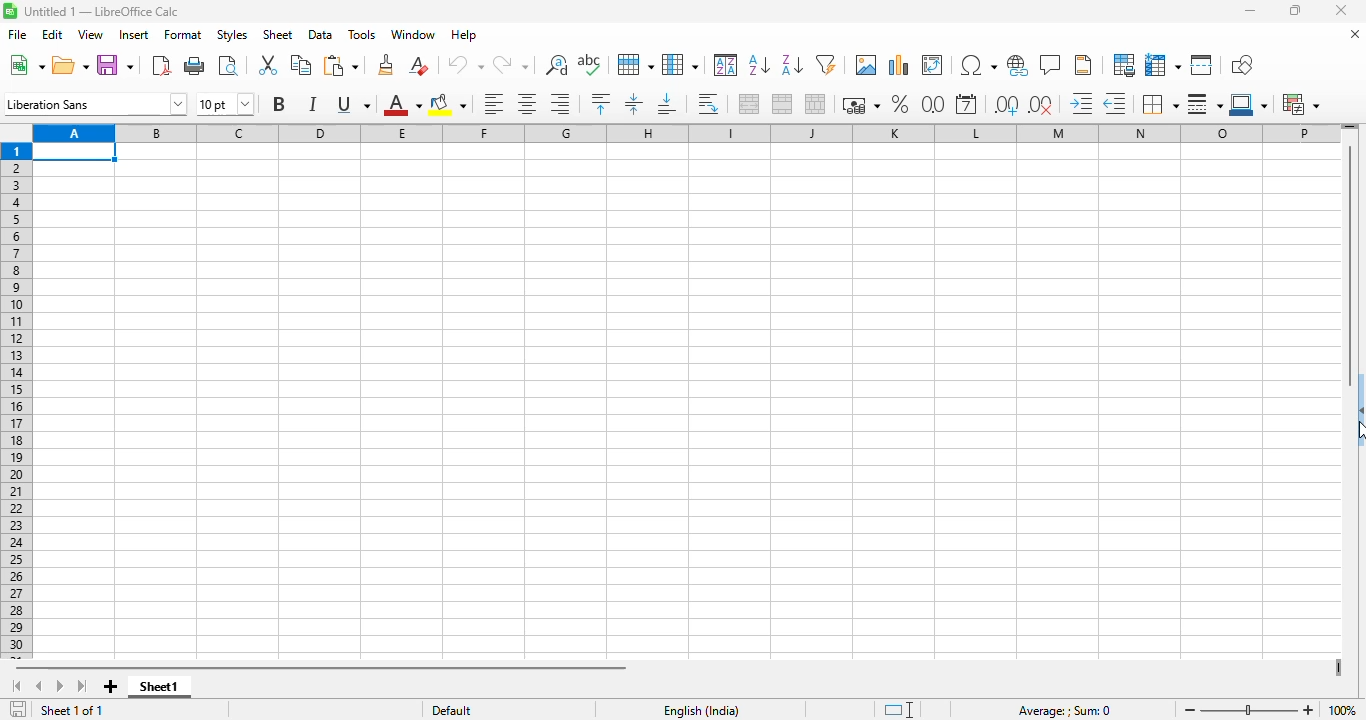  Describe the element at coordinates (793, 65) in the screenshot. I see `sort descending` at that location.